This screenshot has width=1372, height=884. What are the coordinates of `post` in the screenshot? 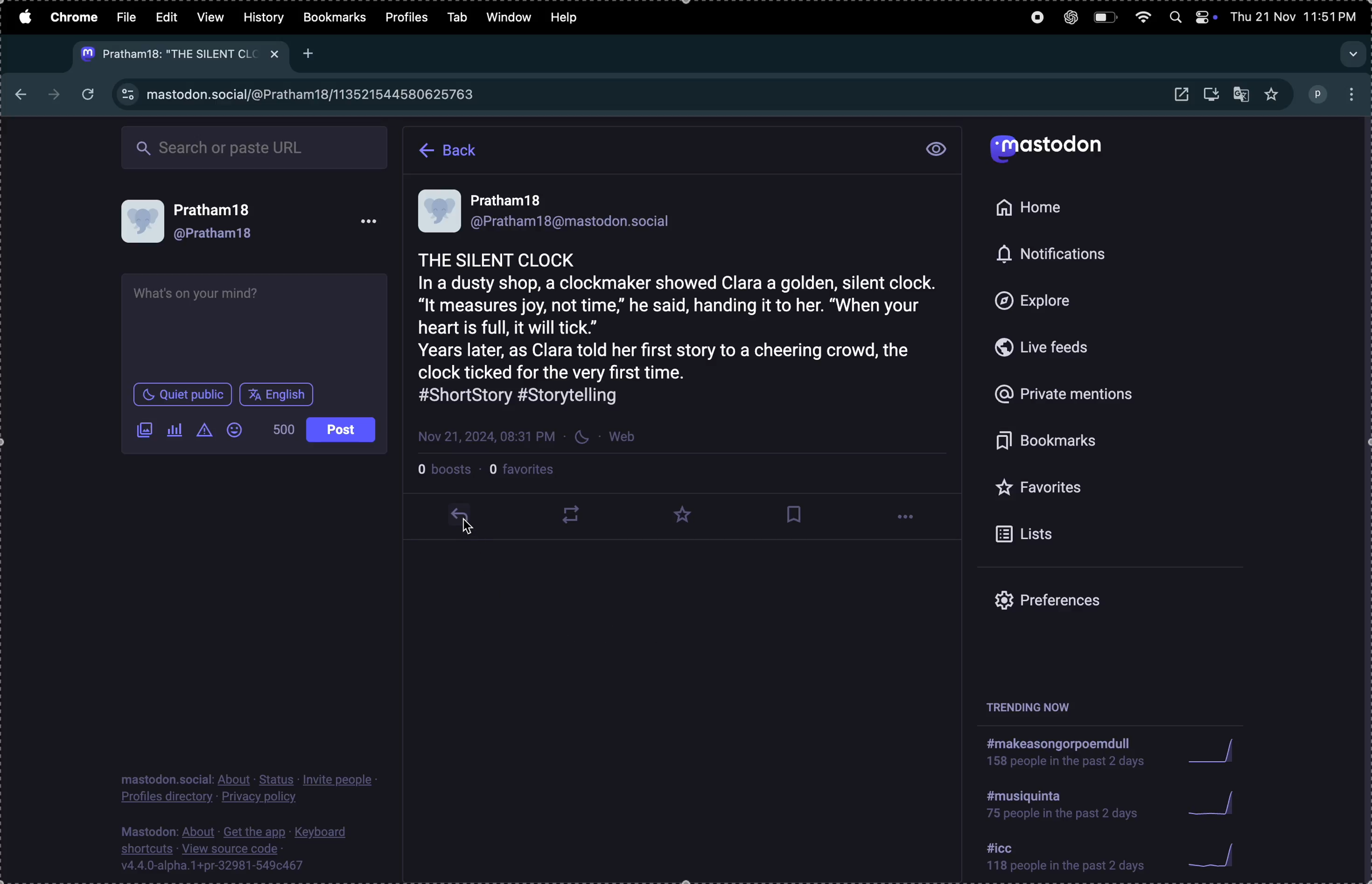 It's located at (339, 429).